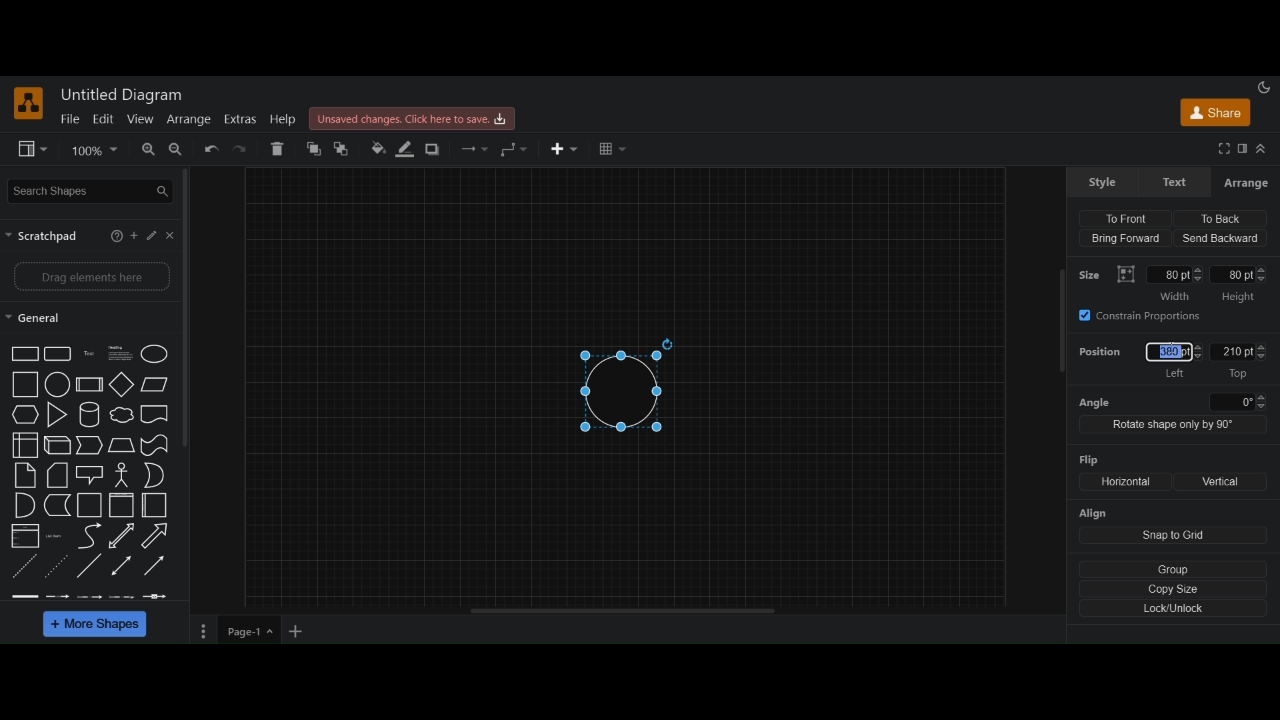  What do you see at coordinates (1245, 183) in the screenshot?
I see `arrange` at bounding box center [1245, 183].